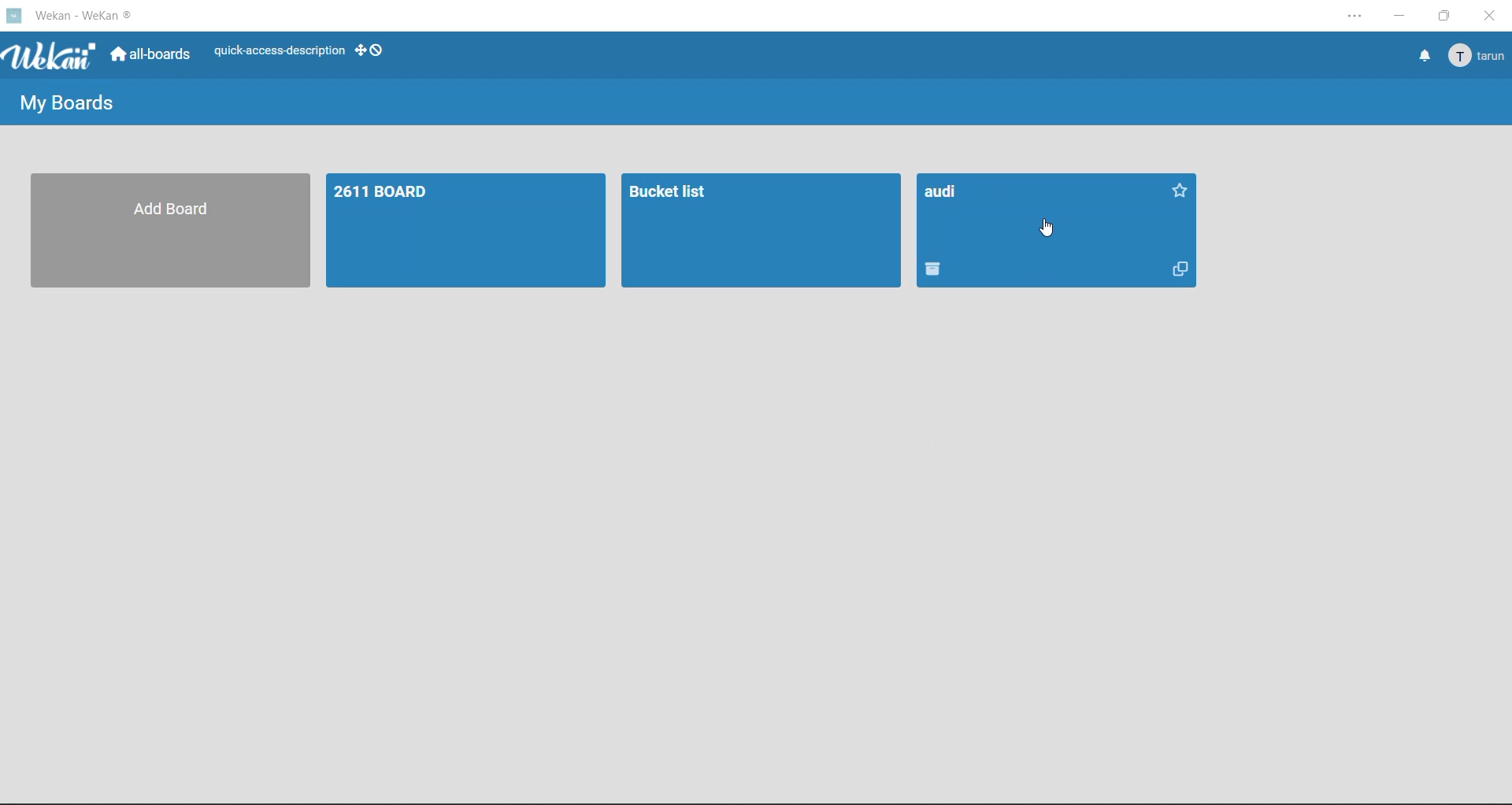 This screenshot has height=805, width=1512. Describe the element at coordinates (1396, 16) in the screenshot. I see `minimize` at that location.